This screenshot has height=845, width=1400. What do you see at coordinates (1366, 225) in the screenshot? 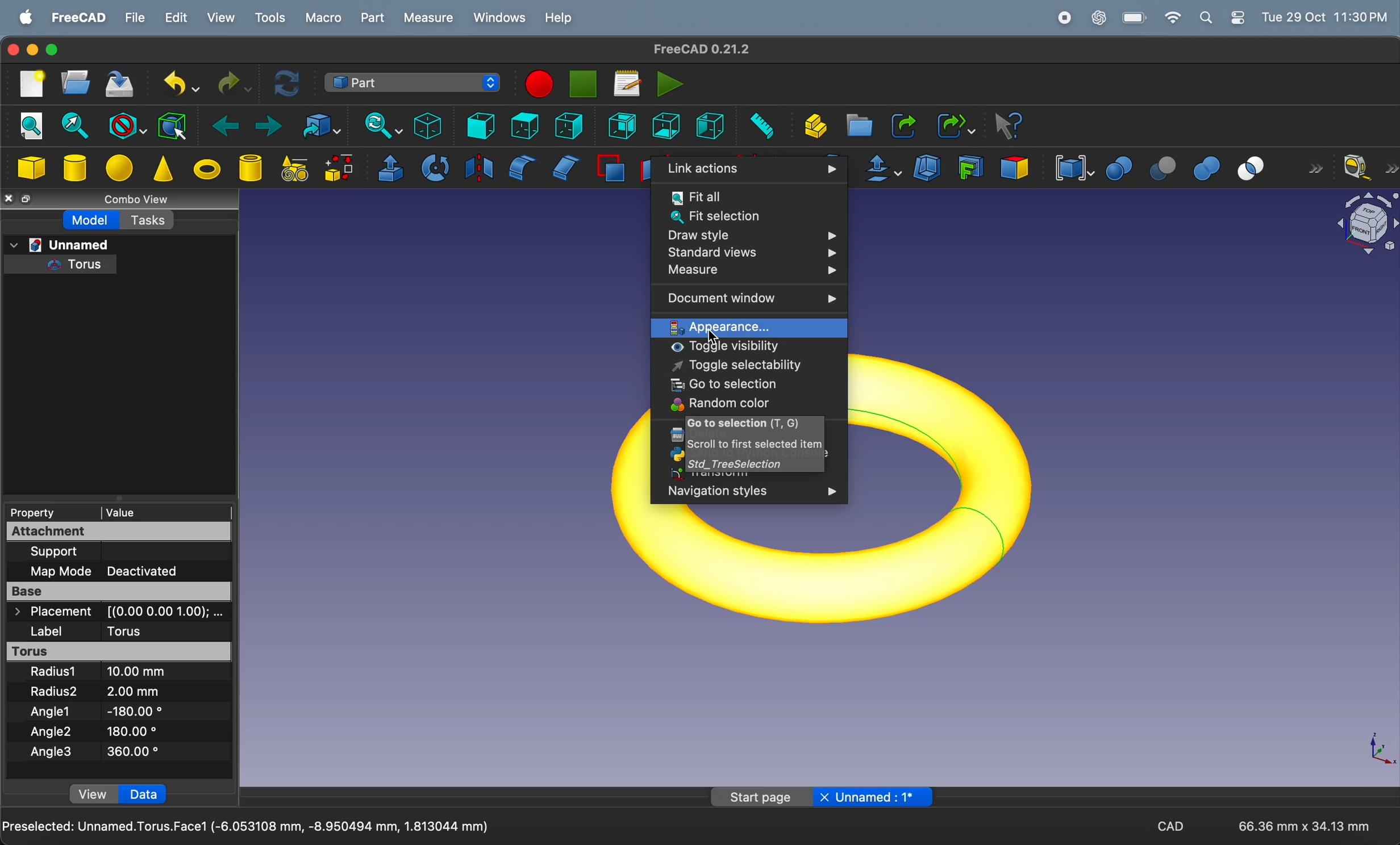
I see `object view` at bounding box center [1366, 225].